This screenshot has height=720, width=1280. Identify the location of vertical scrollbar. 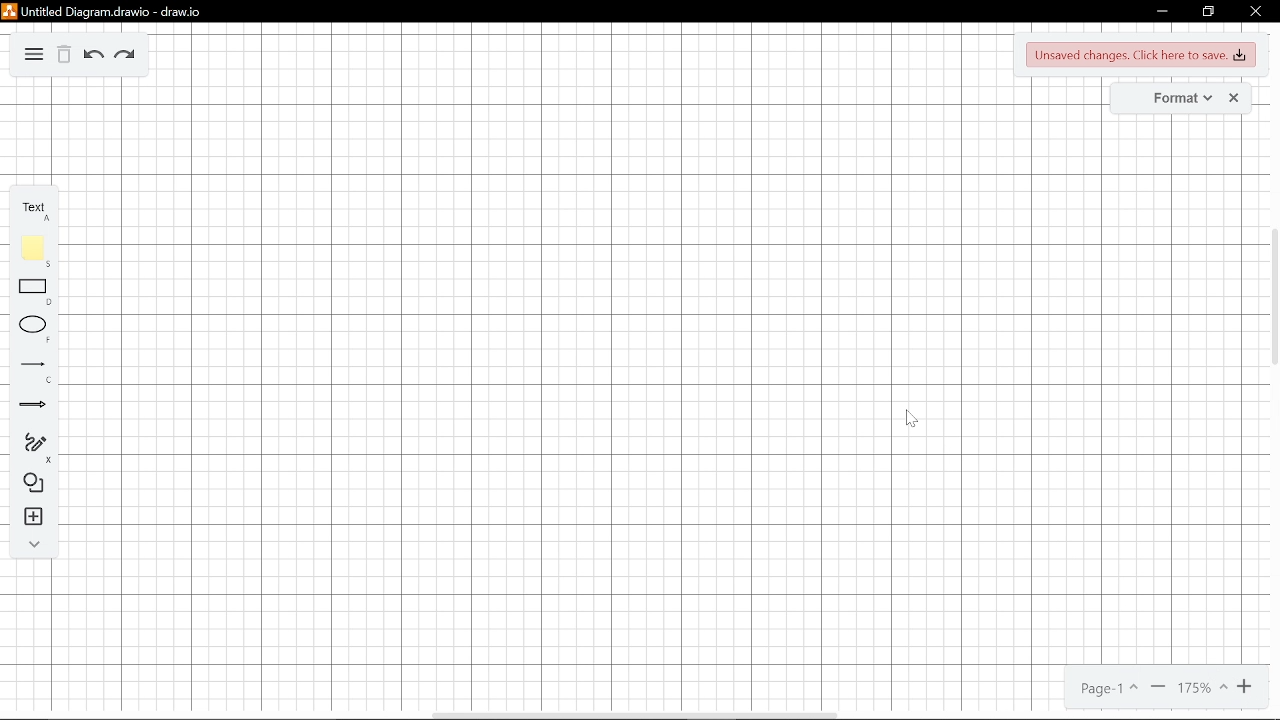
(1272, 317).